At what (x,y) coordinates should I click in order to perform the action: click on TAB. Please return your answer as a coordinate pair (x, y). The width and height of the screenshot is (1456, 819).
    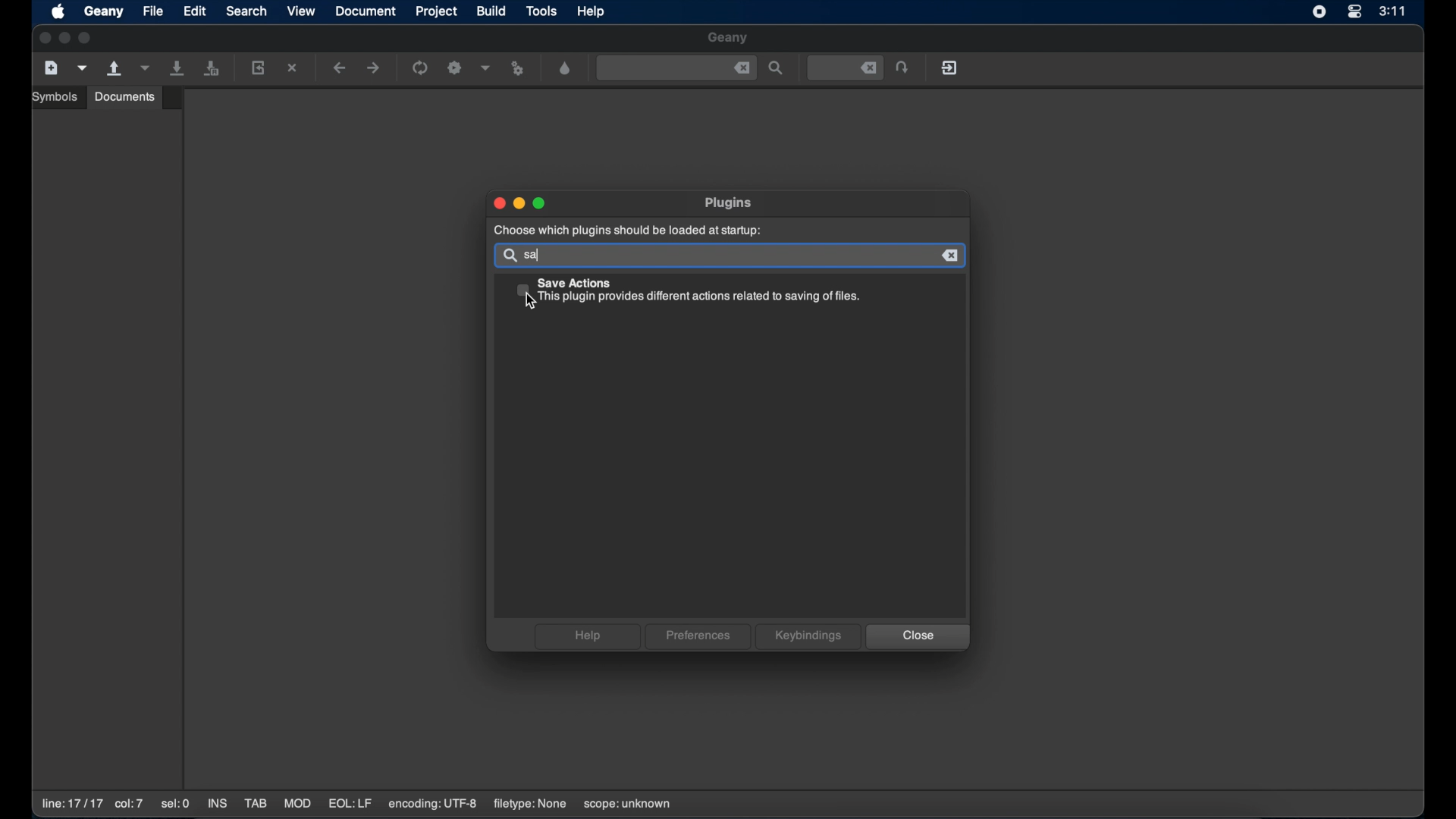
    Looking at the image, I should click on (256, 804).